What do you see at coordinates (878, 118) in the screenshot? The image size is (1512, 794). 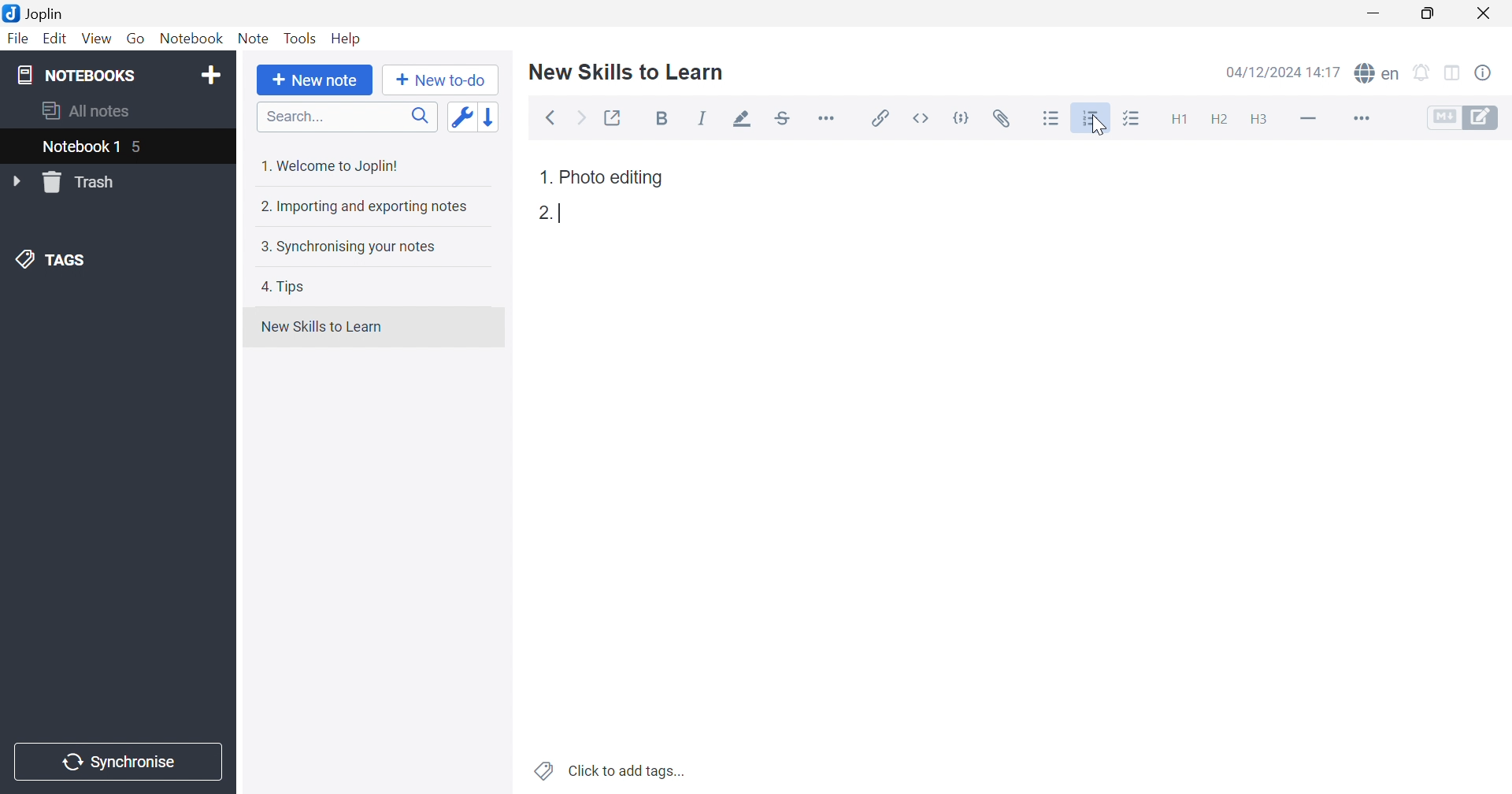 I see `Insert/edit link` at bounding box center [878, 118].